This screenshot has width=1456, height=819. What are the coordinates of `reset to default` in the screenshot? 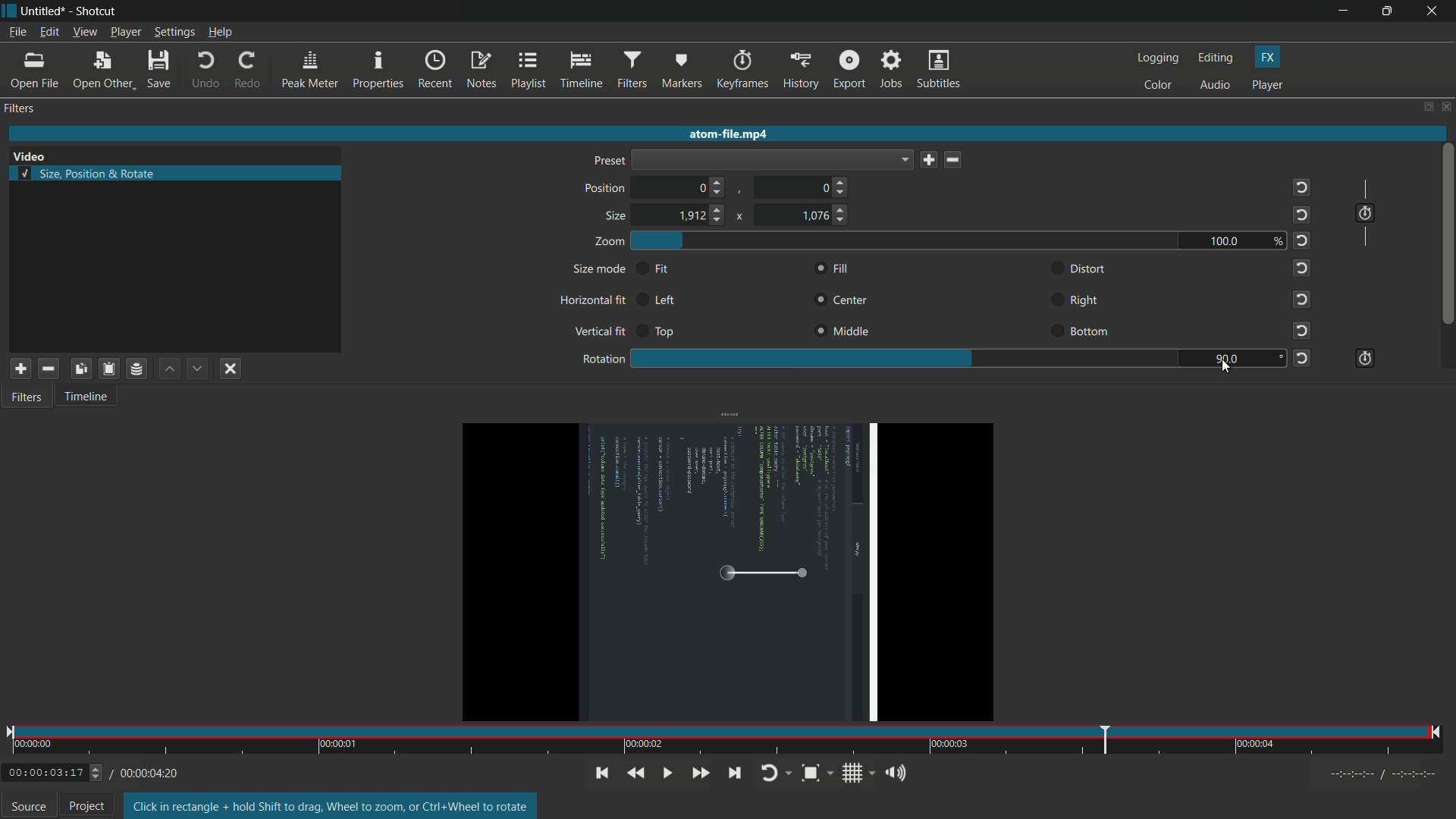 It's located at (1303, 357).